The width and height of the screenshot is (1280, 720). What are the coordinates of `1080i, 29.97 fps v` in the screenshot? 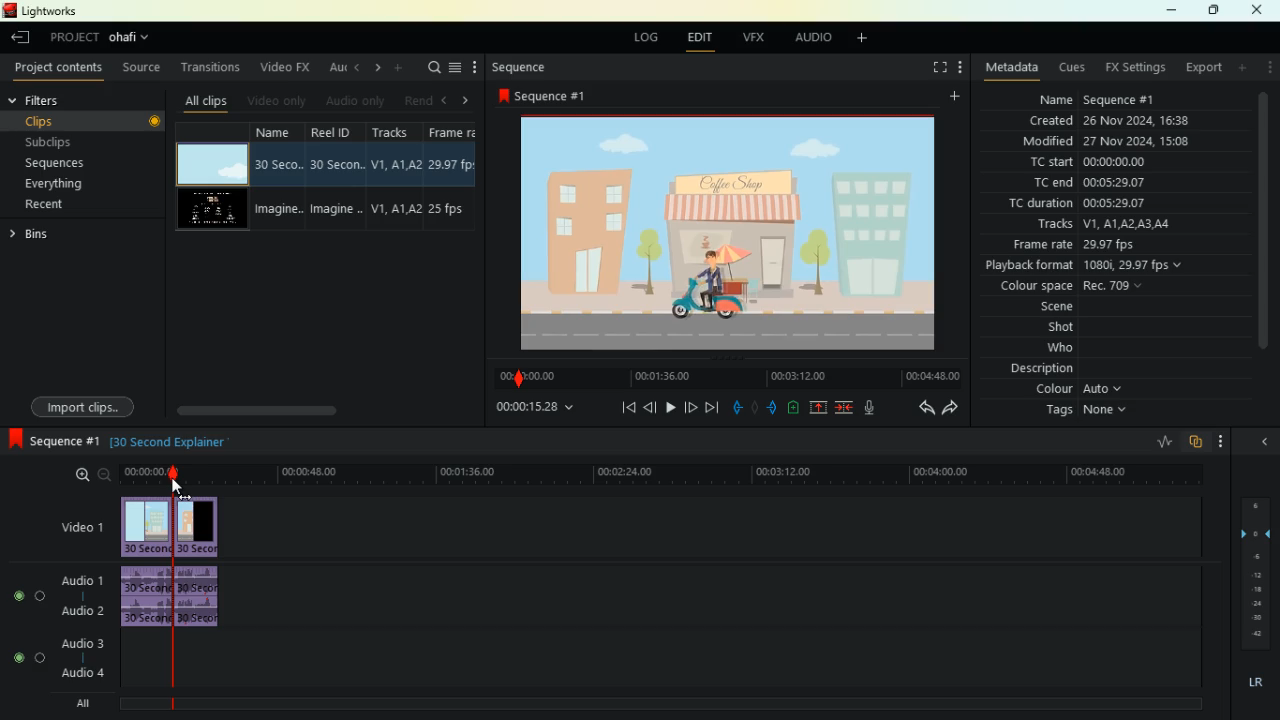 It's located at (1134, 265).